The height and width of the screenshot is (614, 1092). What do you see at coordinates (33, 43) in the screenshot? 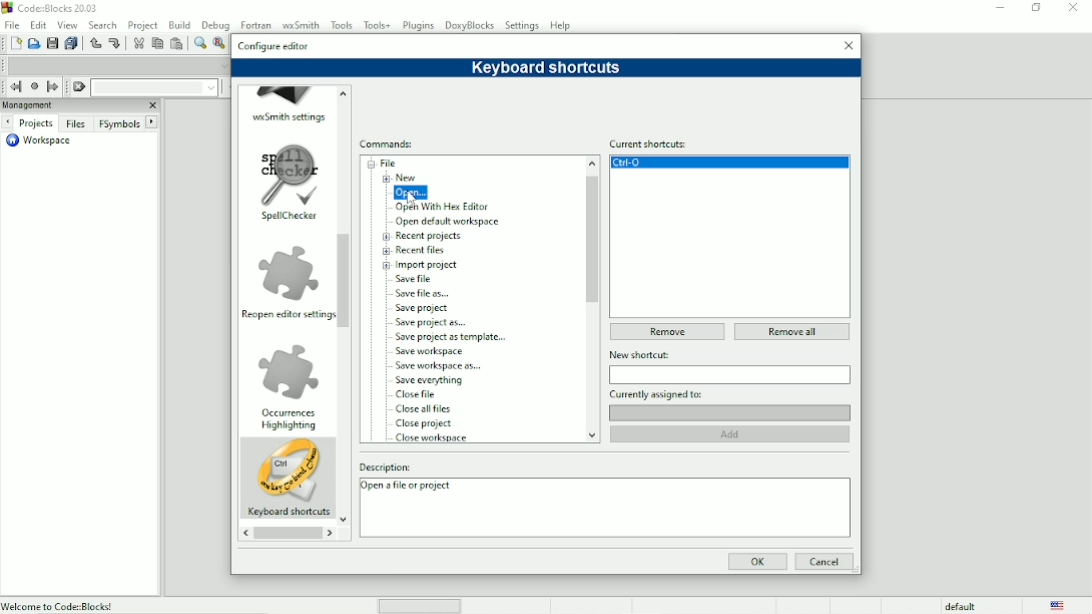
I see `Open` at bounding box center [33, 43].